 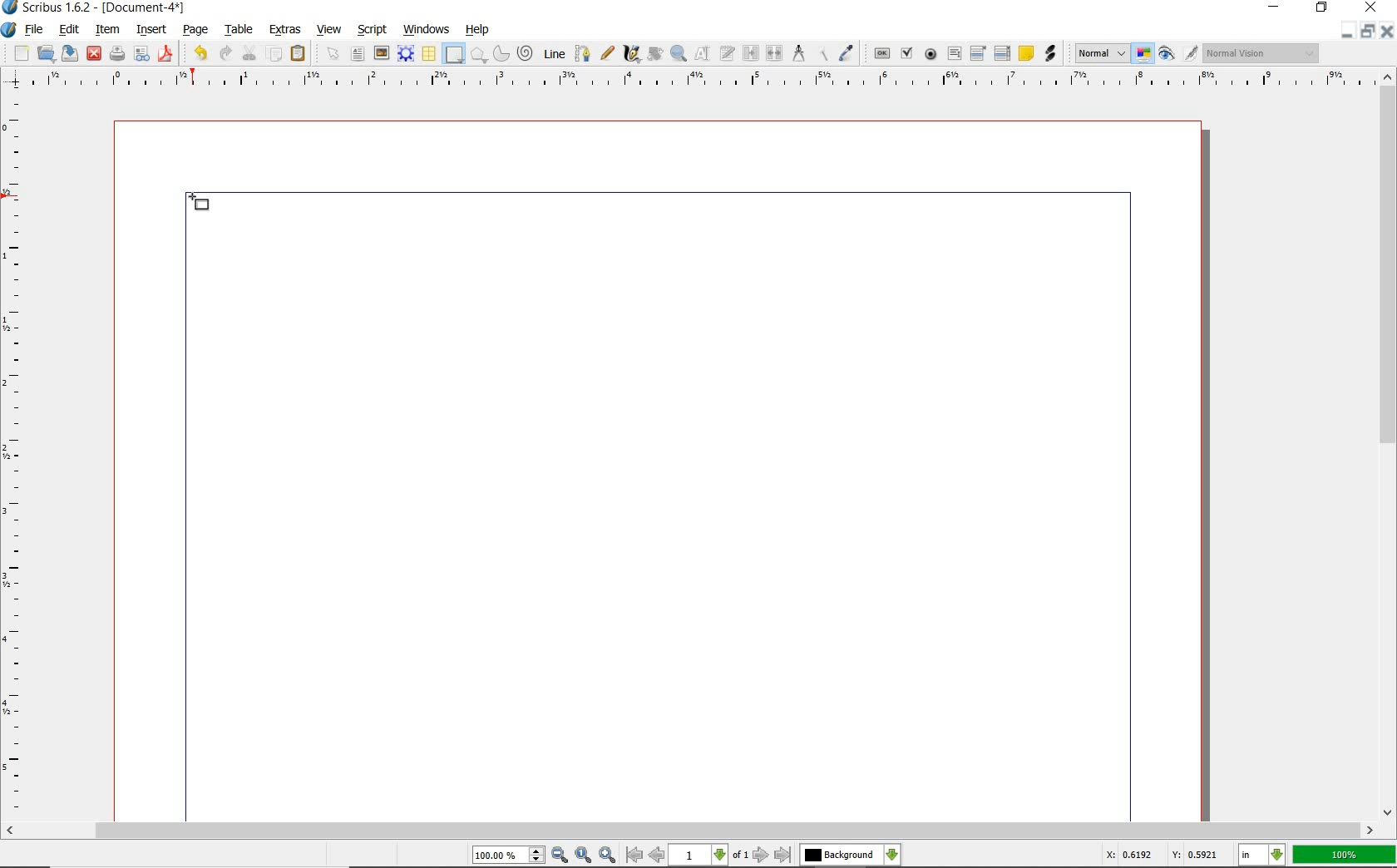 I want to click on select, so click(x=332, y=52).